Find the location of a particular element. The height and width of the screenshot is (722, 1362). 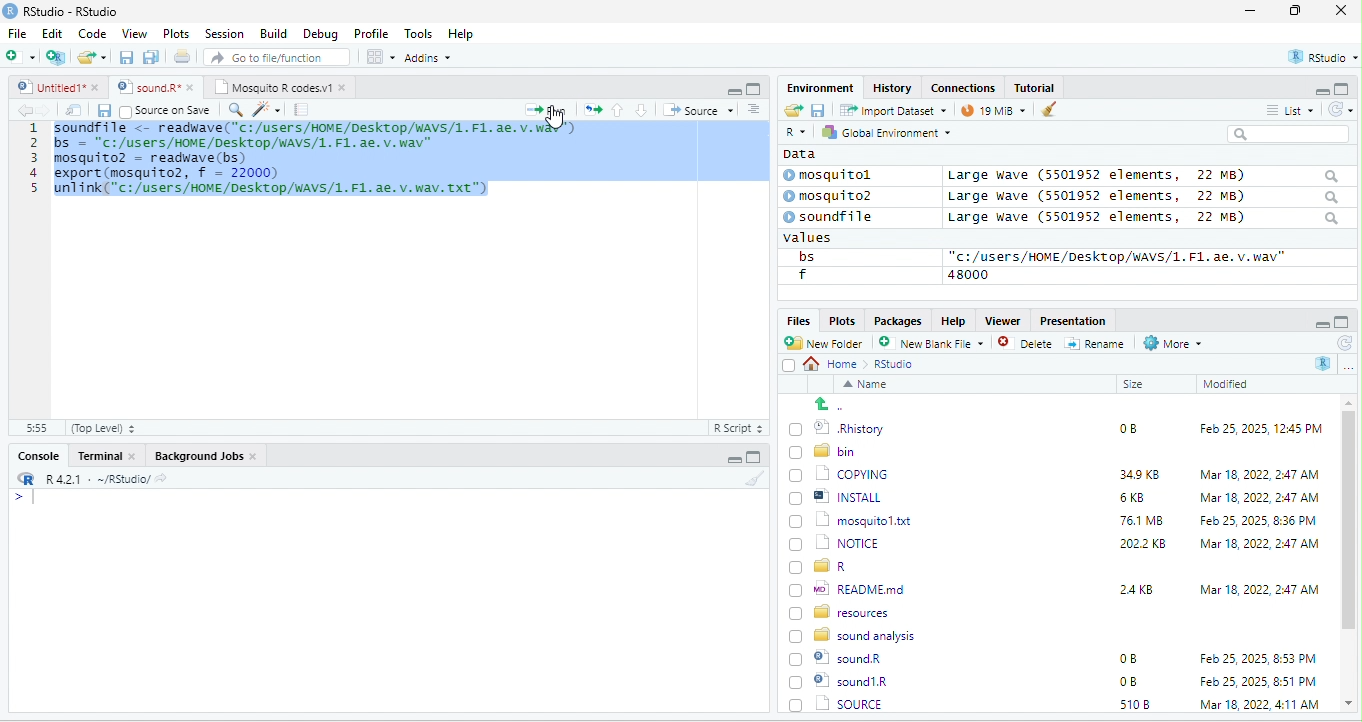

BD resources is located at coordinates (843, 610).